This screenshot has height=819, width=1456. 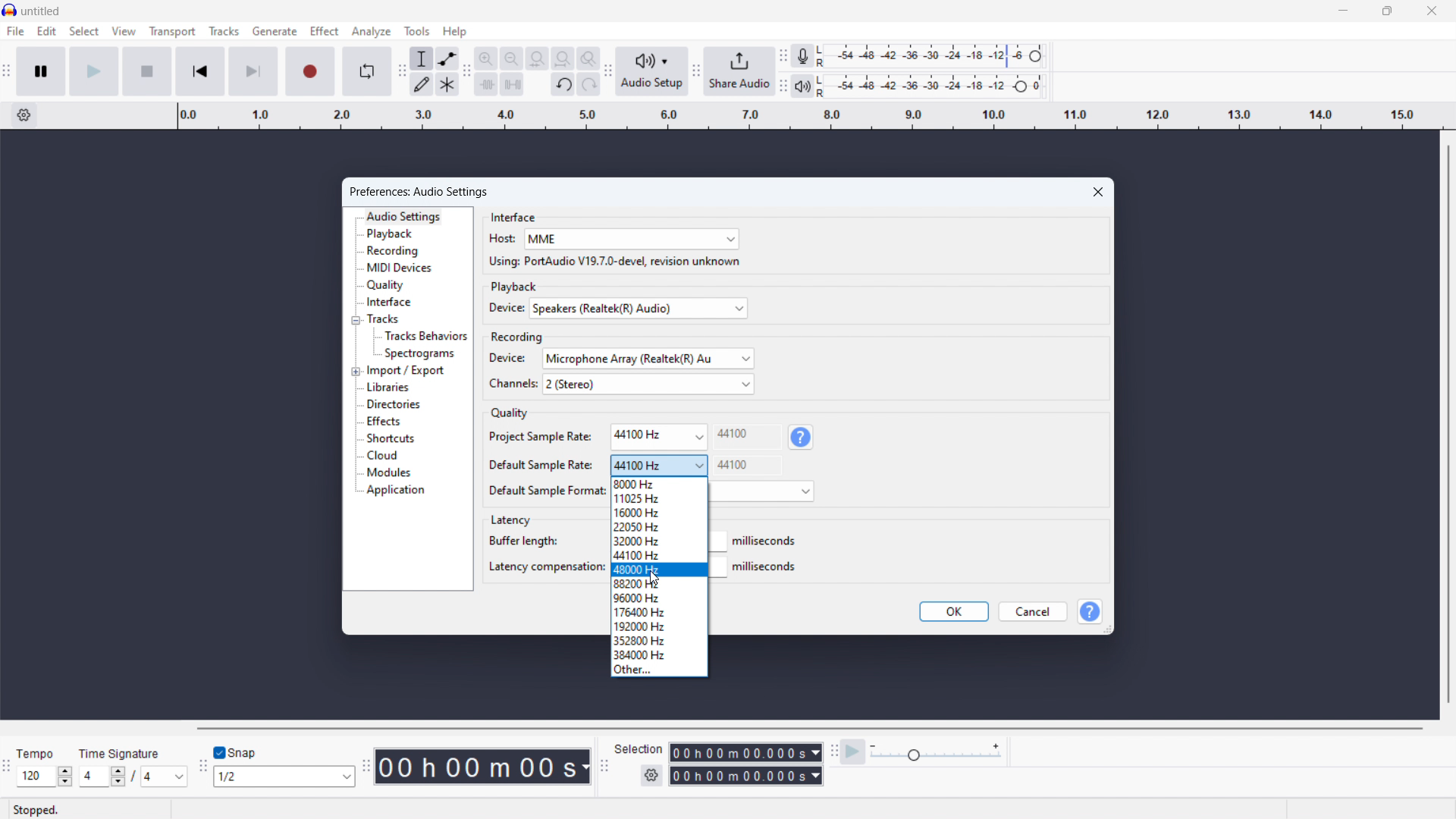 What do you see at coordinates (200, 71) in the screenshot?
I see `skip to start` at bounding box center [200, 71].